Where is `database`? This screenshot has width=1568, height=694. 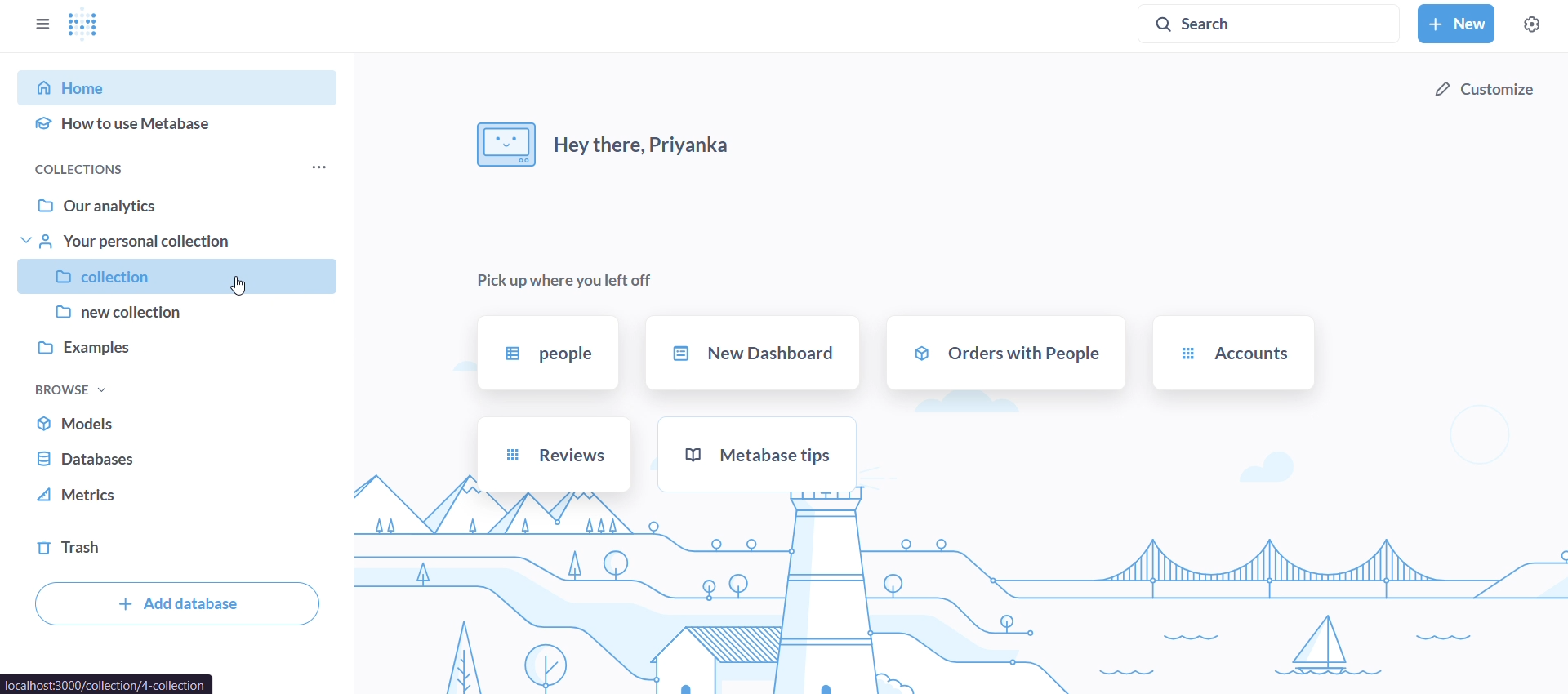 database is located at coordinates (182, 459).